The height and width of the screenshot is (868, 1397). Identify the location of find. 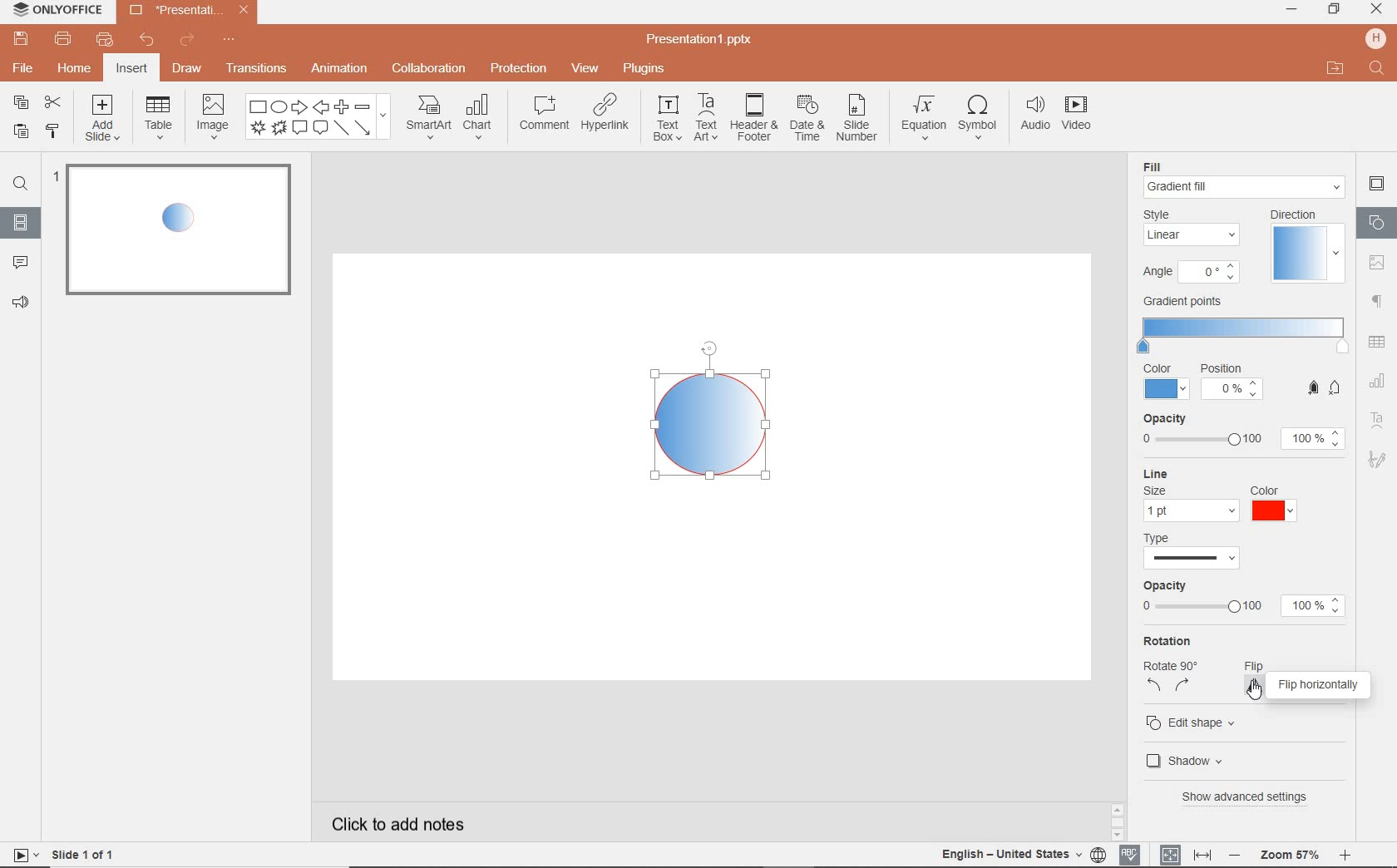
(20, 182).